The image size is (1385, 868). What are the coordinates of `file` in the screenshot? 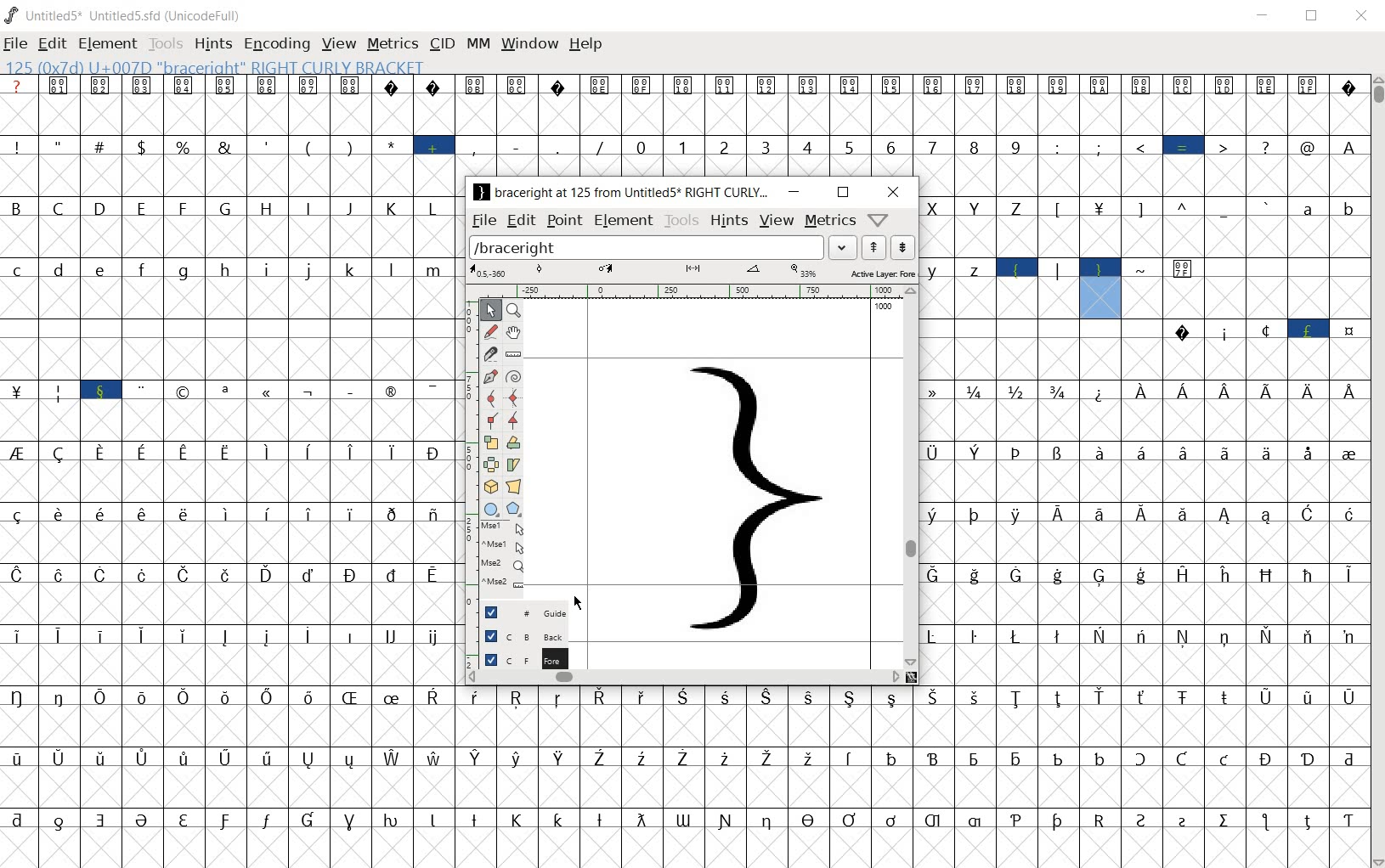 It's located at (483, 223).